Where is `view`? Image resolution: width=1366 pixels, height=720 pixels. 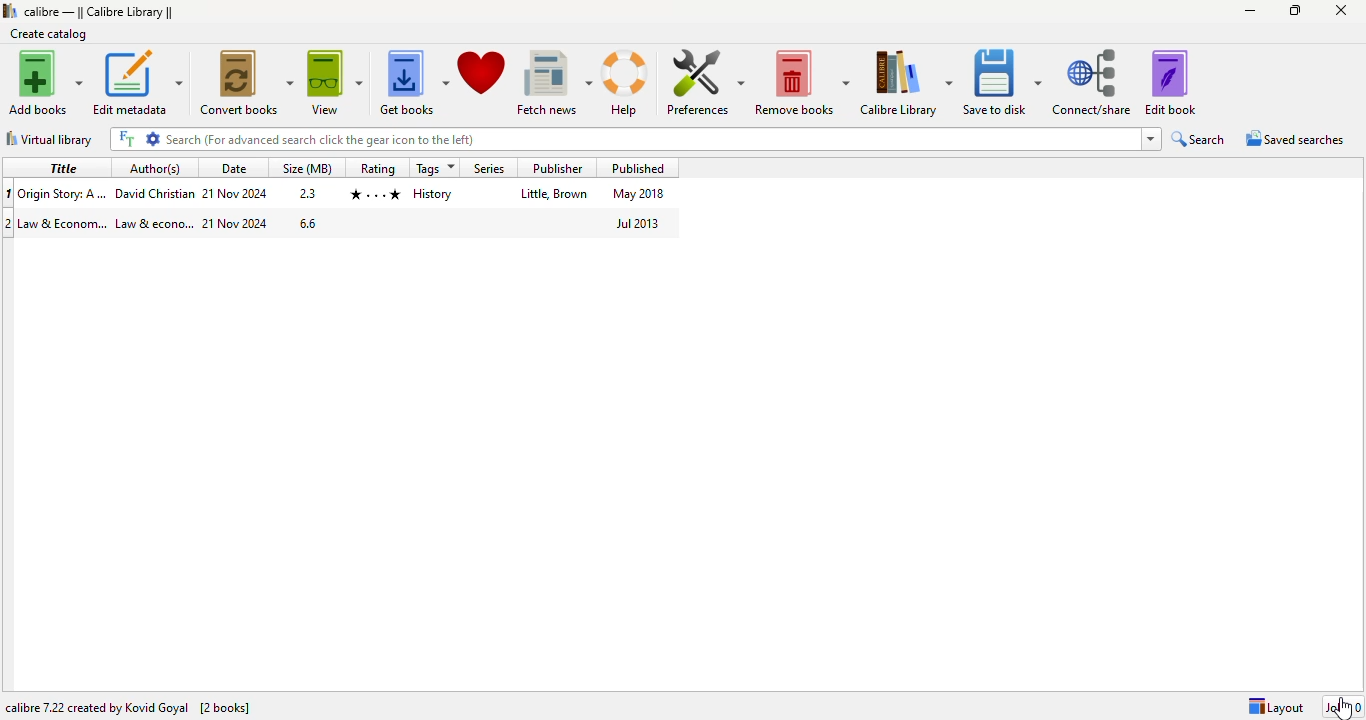
view is located at coordinates (335, 82).